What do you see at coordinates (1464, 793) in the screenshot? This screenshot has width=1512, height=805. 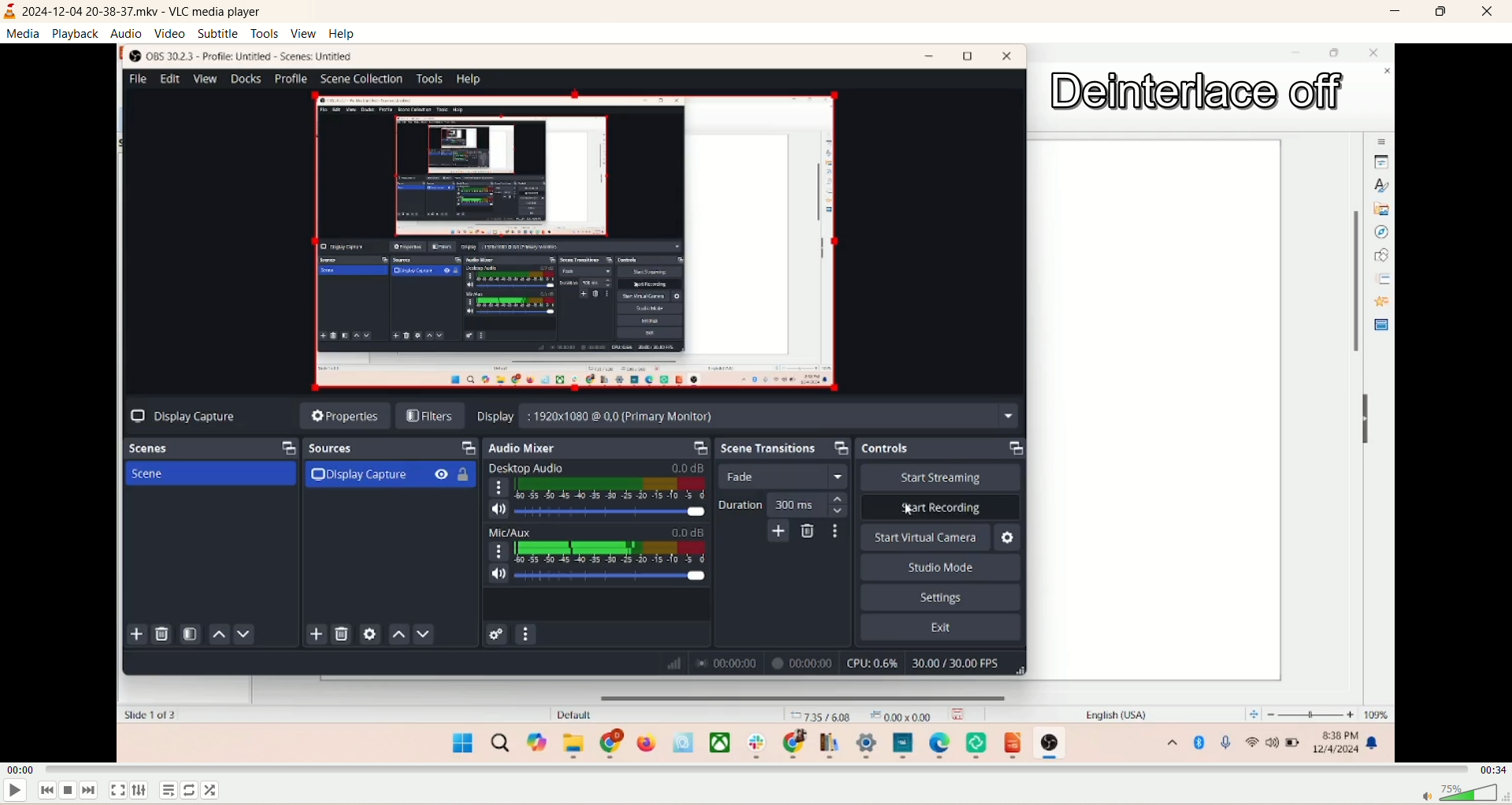 I see `volume bar` at bounding box center [1464, 793].